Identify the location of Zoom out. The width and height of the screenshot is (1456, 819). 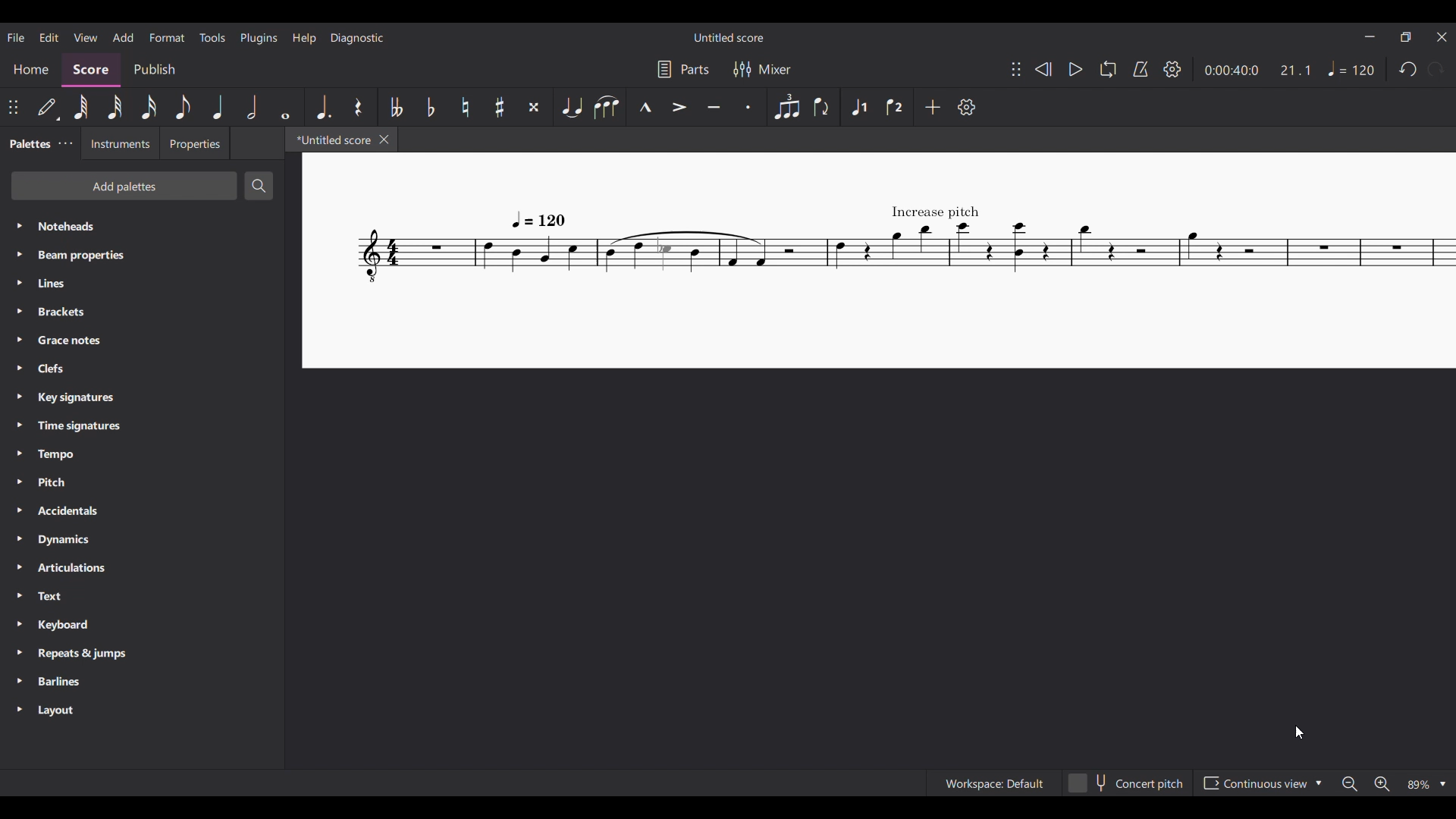
(1349, 784).